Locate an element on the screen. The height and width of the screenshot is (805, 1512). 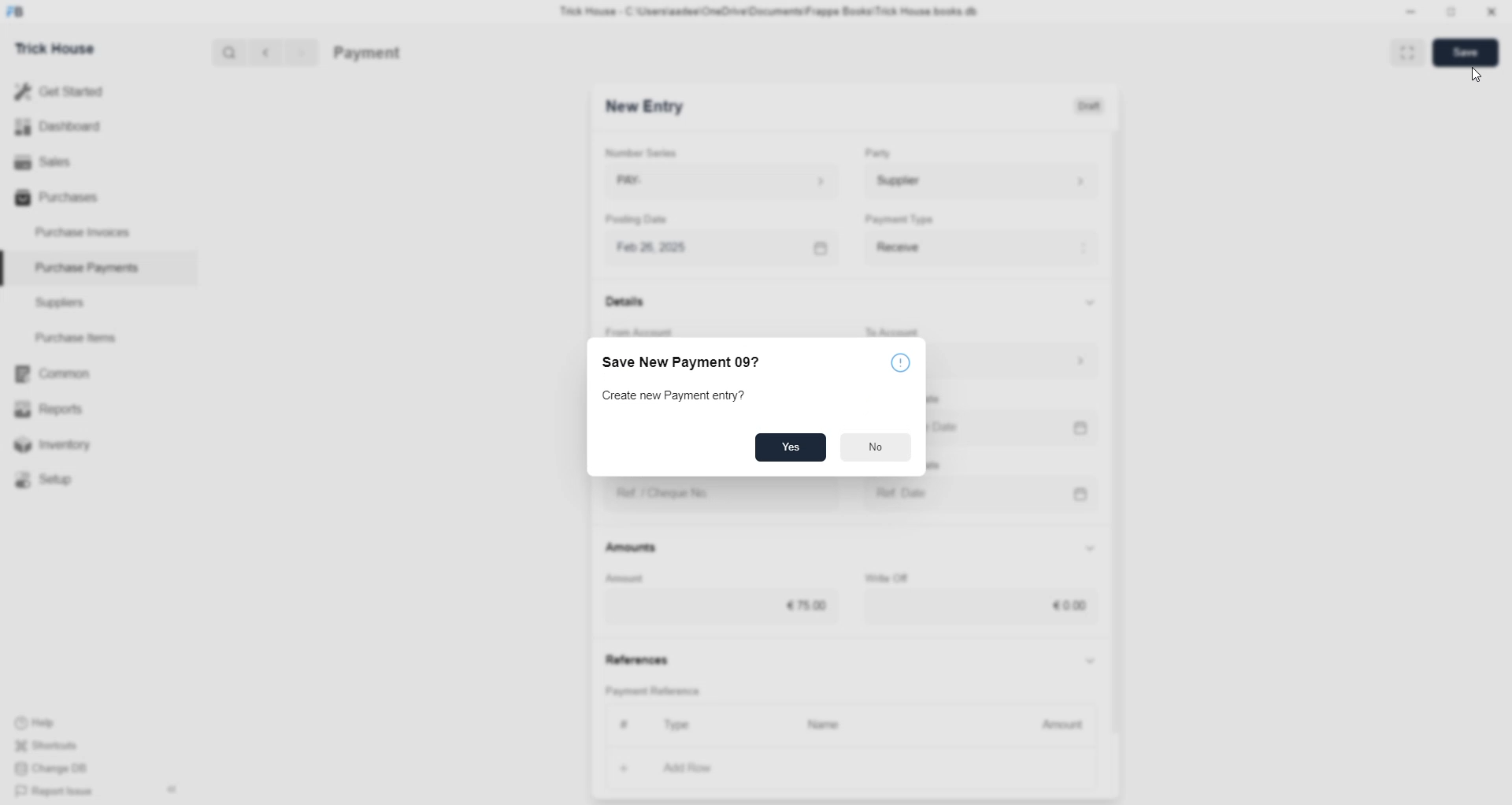
Yes is located at coordinates (791, 449).